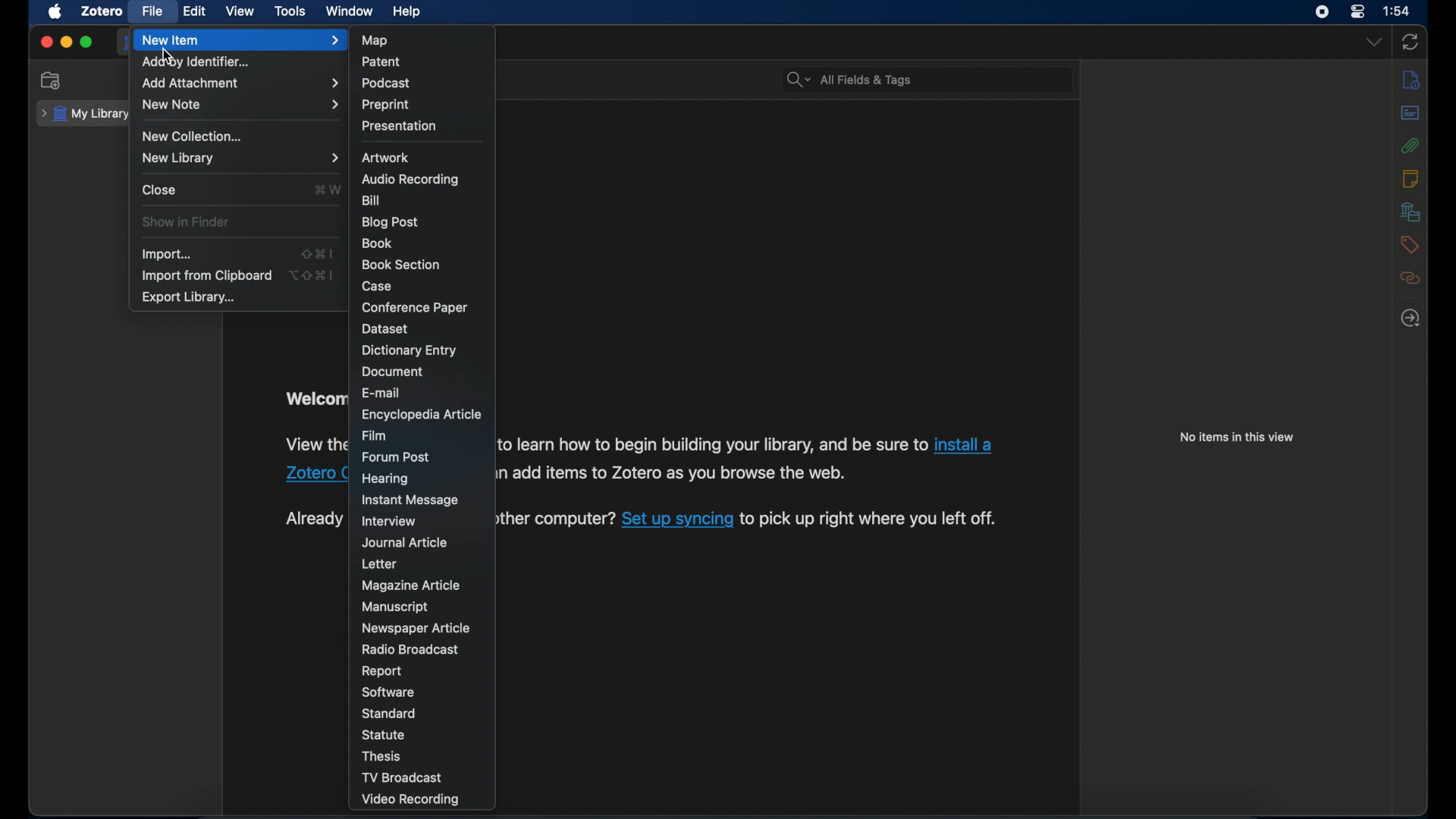 The height and width of the screenshot is (819, 1456). Describe the element at coordinates (312, 518) in the screenshot. I see `Already` at that location.